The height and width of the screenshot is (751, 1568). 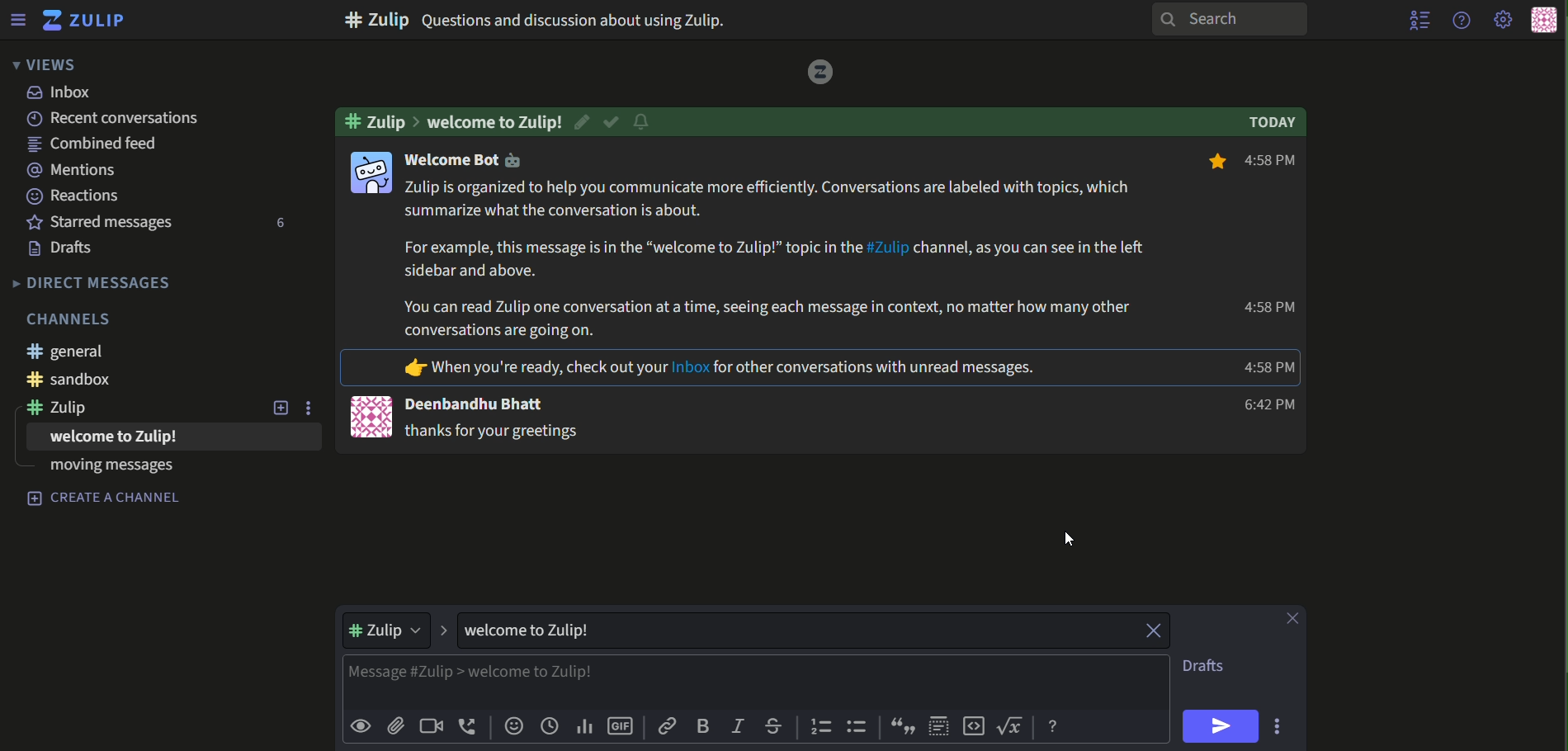 What do you see at coordinates (74, 196) in the screenshot?
I see `text` at bounding box center [74, 196].